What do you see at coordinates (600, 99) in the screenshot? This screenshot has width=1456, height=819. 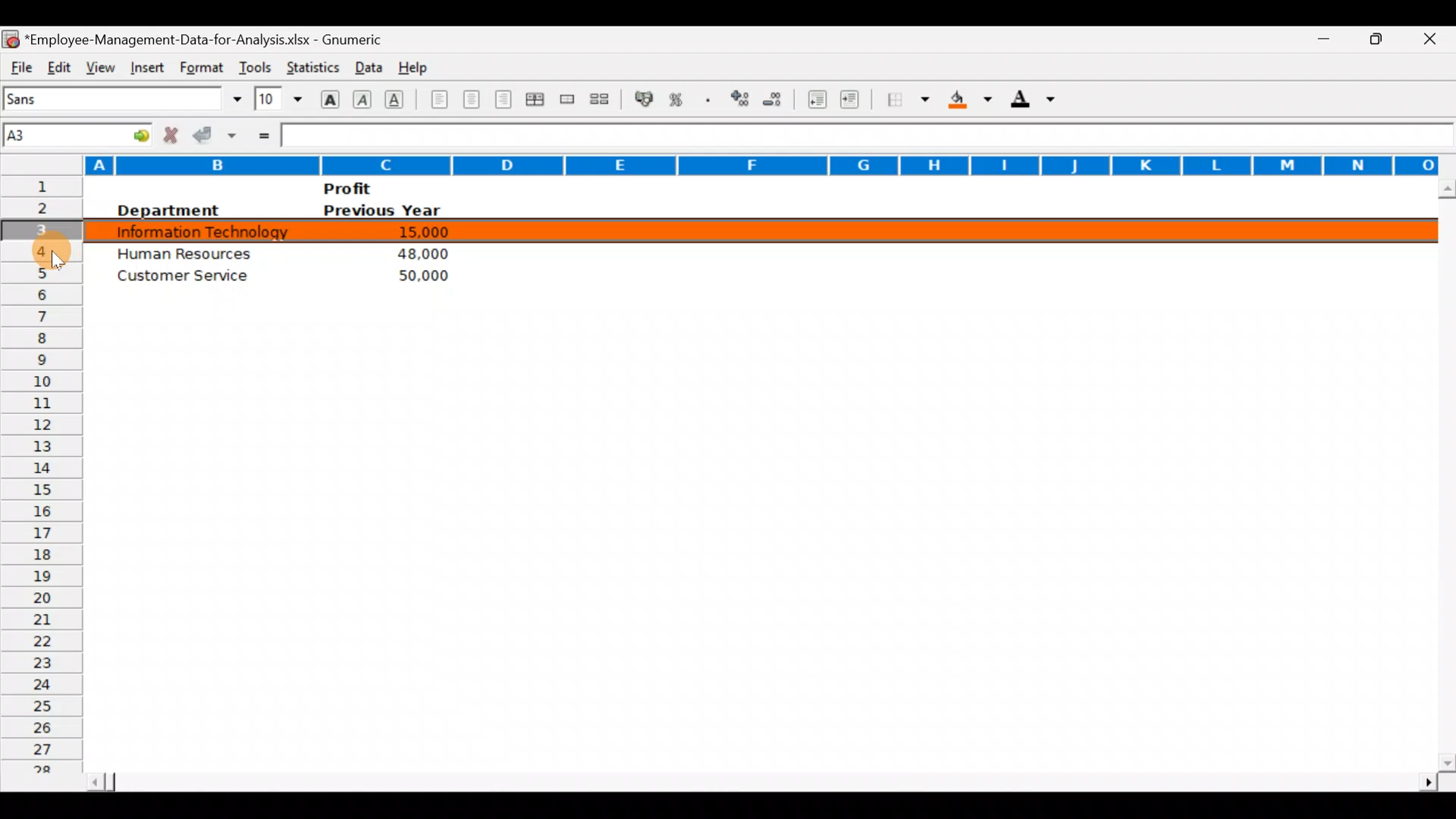 I see `Split merged range of cells` at bounding box center [600, 99].